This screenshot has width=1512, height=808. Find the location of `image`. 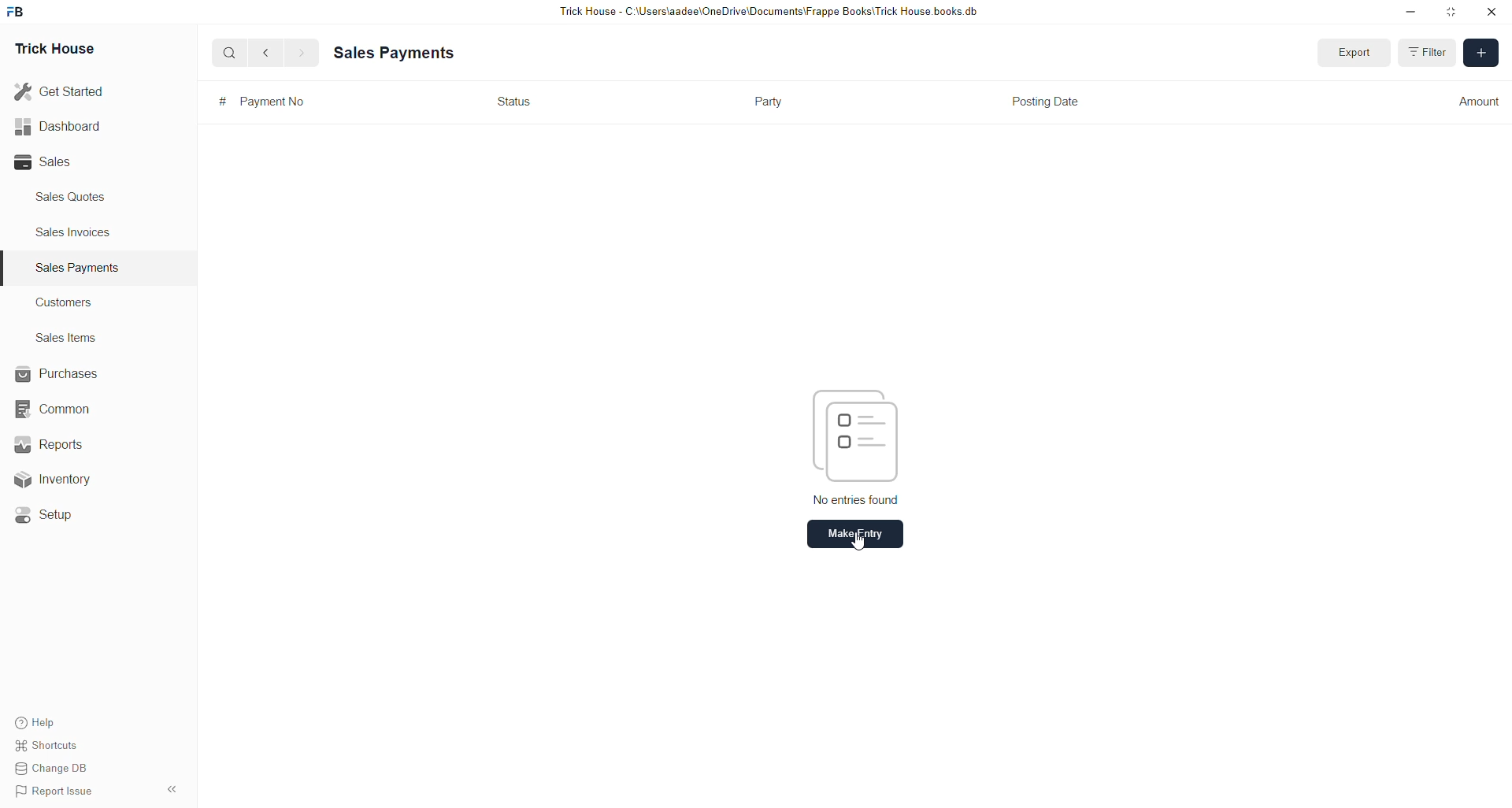

image is located at coordinates (857, 436).